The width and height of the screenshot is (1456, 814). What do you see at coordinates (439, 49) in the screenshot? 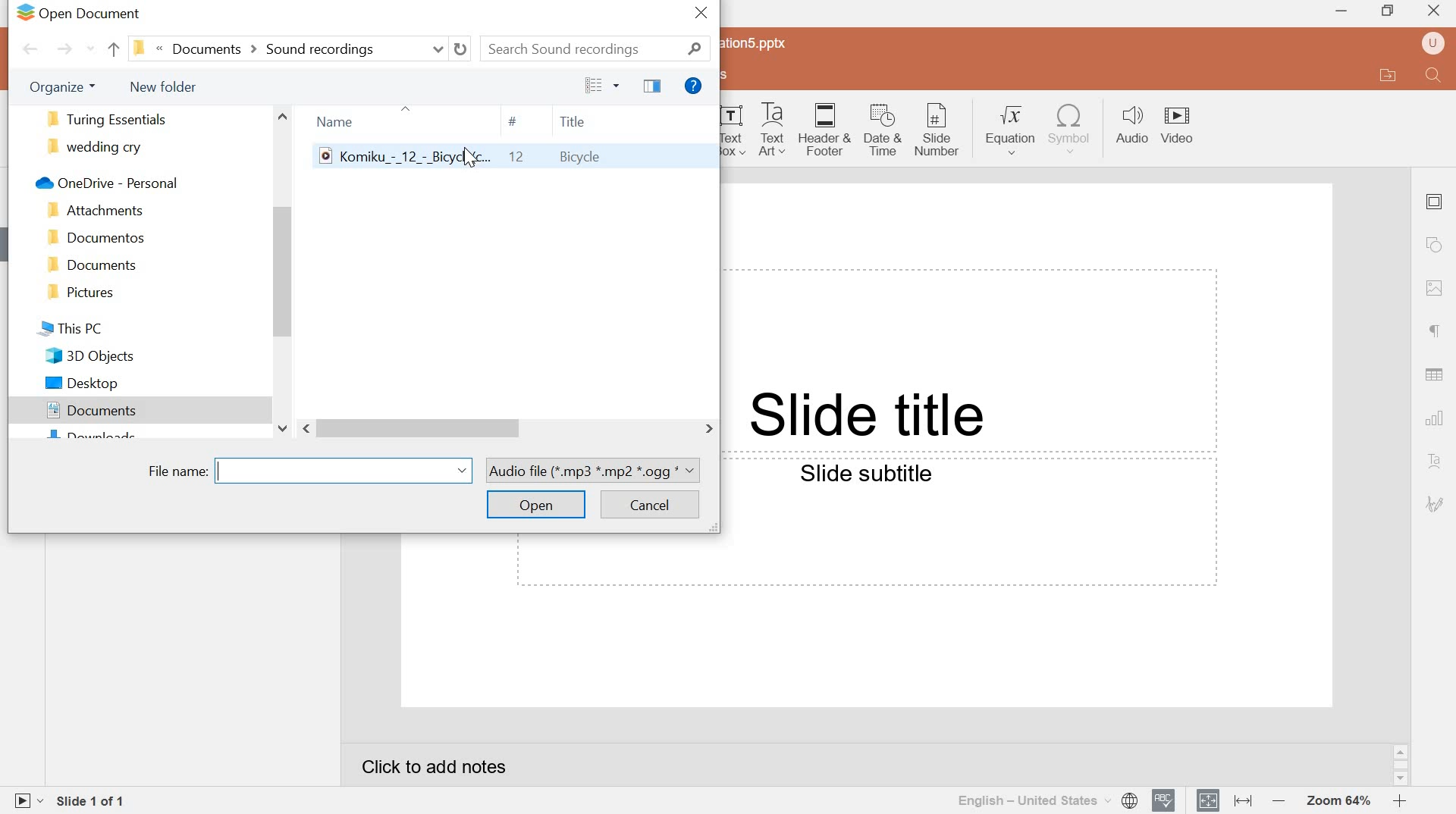
I see `previous locations` at bounding box center [439, 49].